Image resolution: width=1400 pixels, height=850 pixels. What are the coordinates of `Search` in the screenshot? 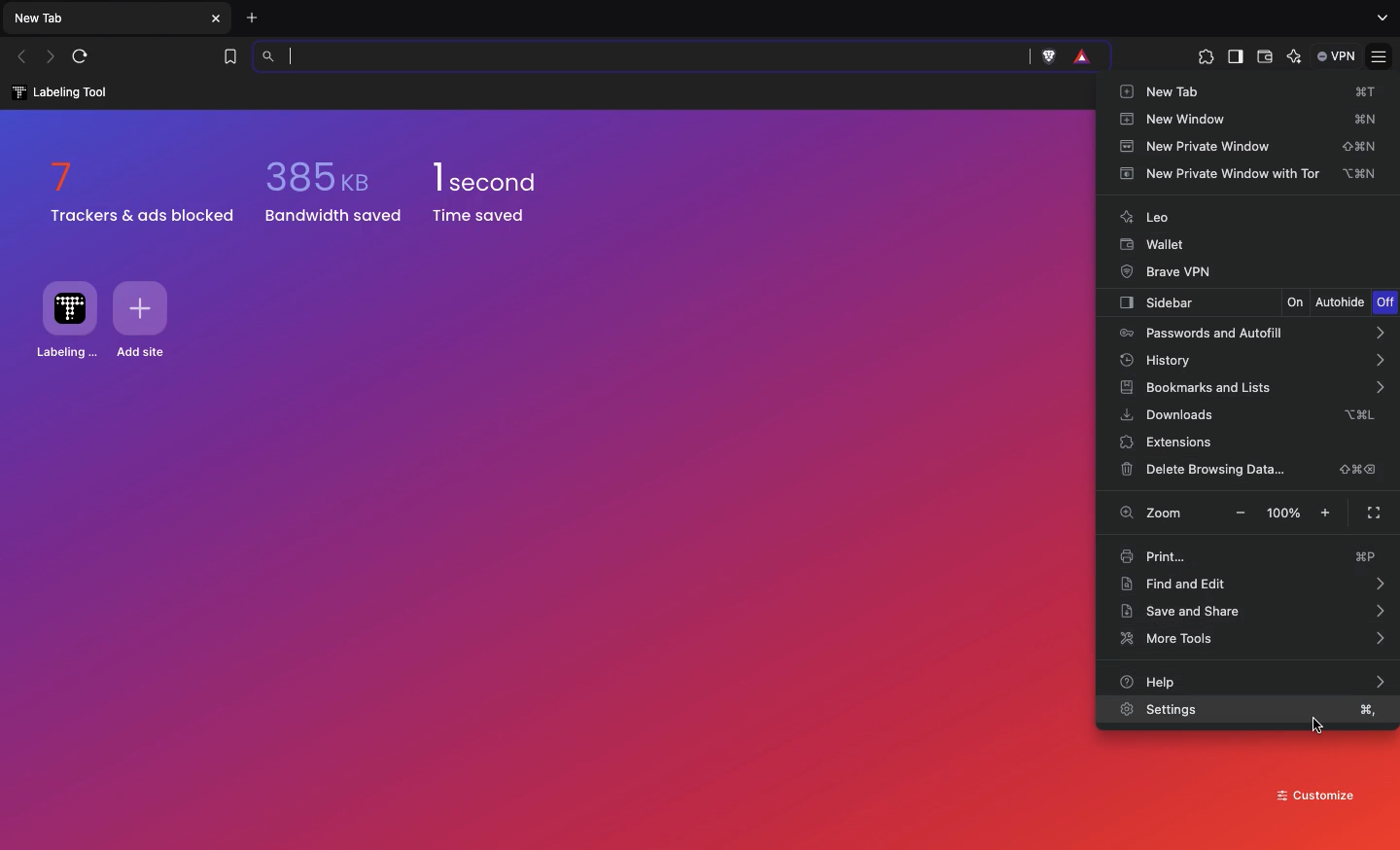 It's located at (639, 56).